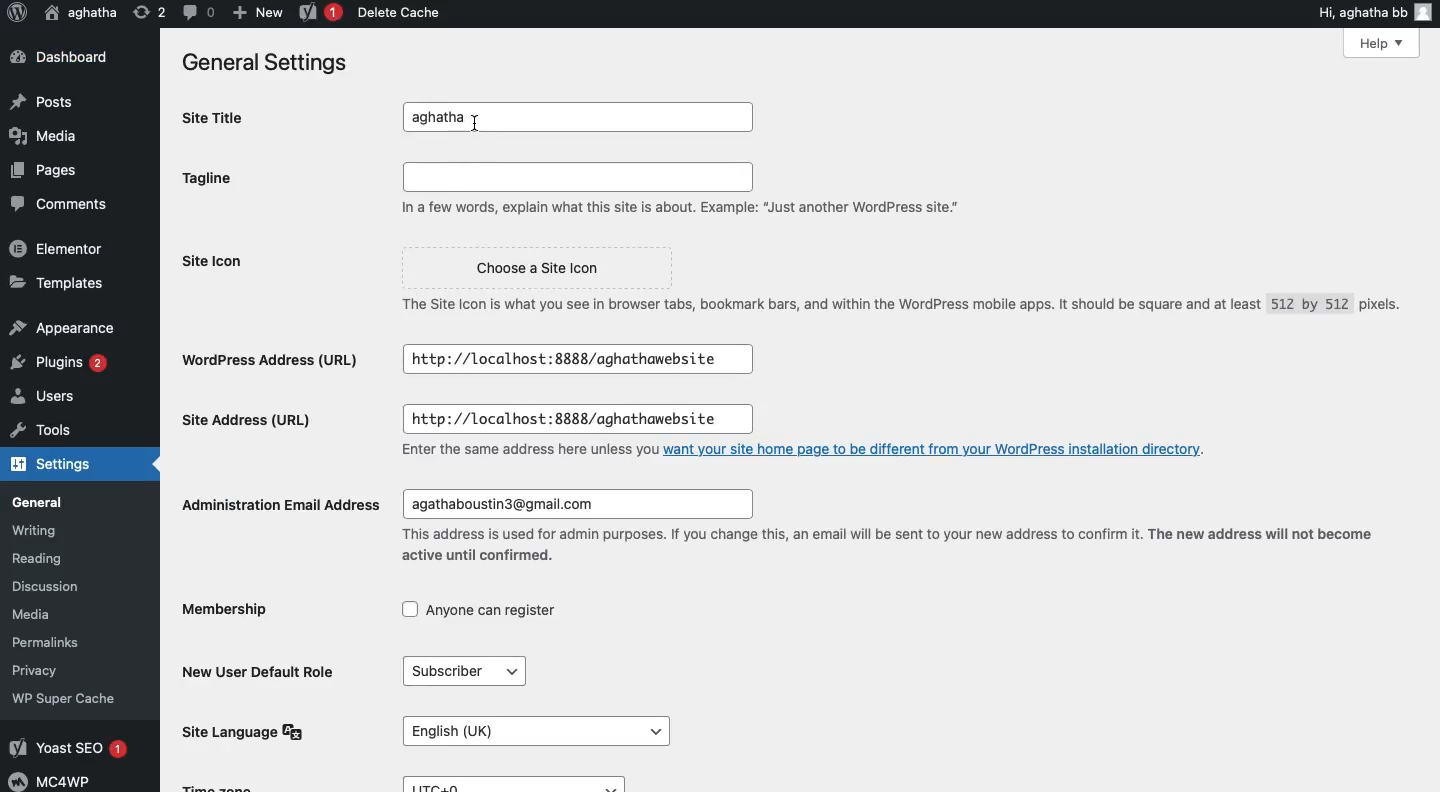 The image size is (1440, 792). What do you see at coordinates (574, 175) in the screenshot?
I see `Input field` at bounding box center [574, 175].